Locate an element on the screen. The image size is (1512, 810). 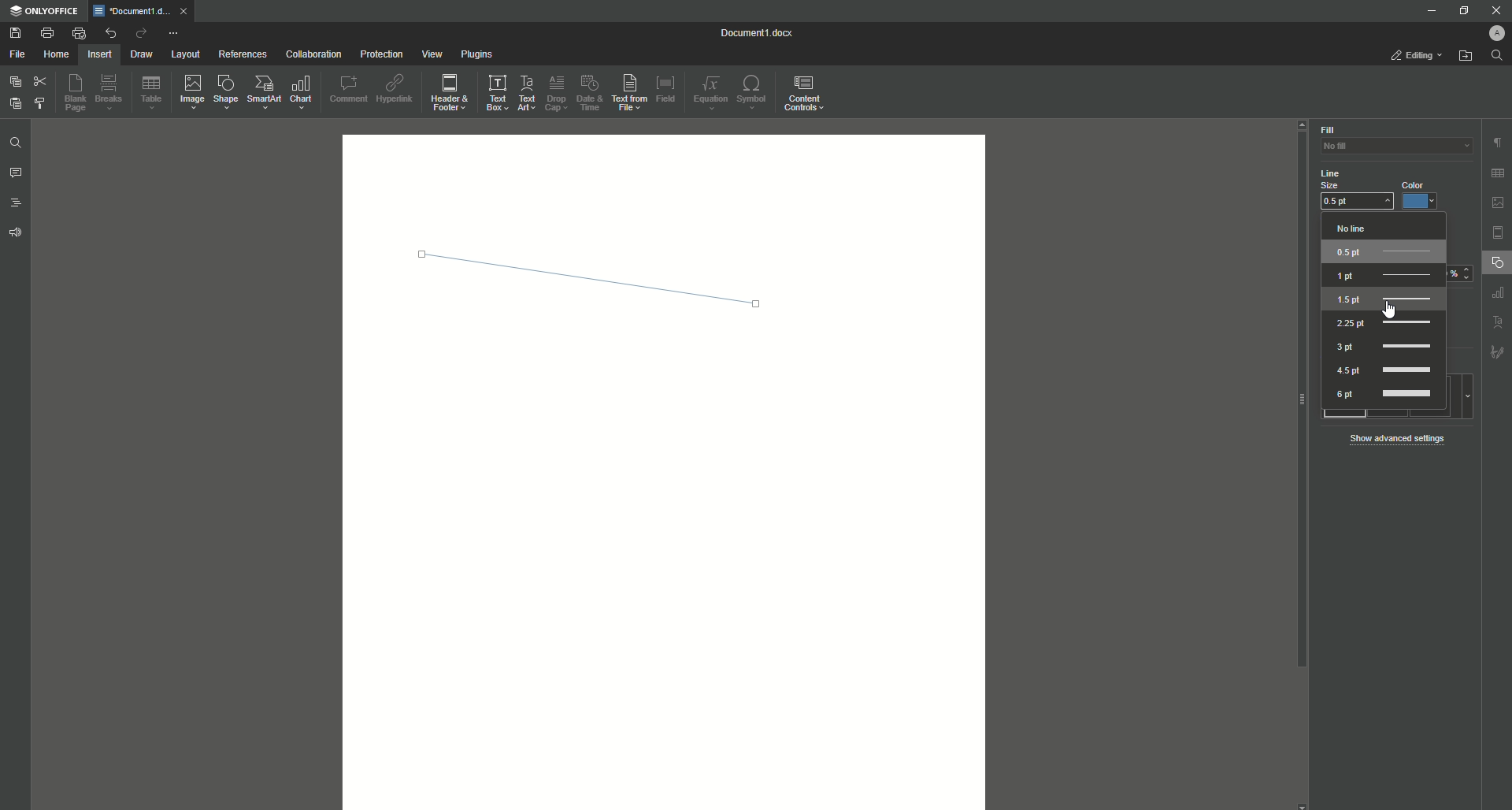
3 pt is located at coordinates (1384, 347).